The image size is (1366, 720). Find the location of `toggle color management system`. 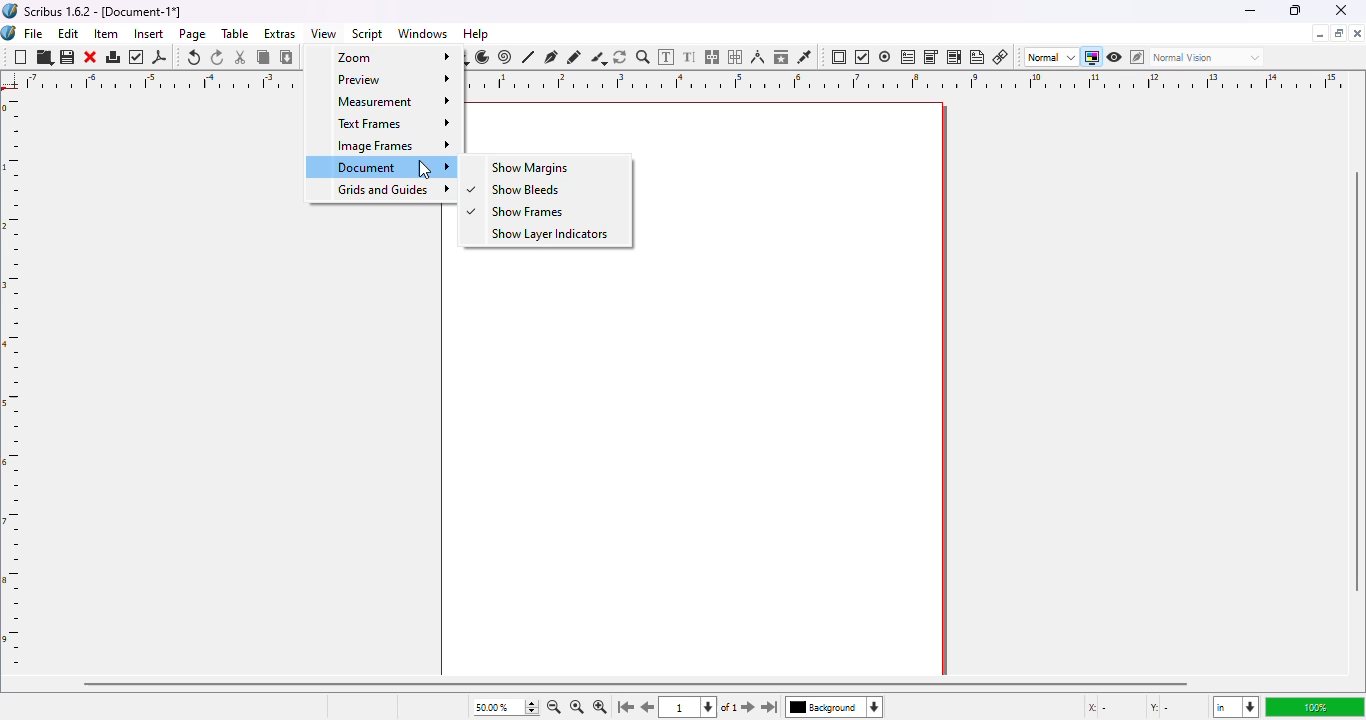

toggle color management system is located at coordinates (1091, 57).